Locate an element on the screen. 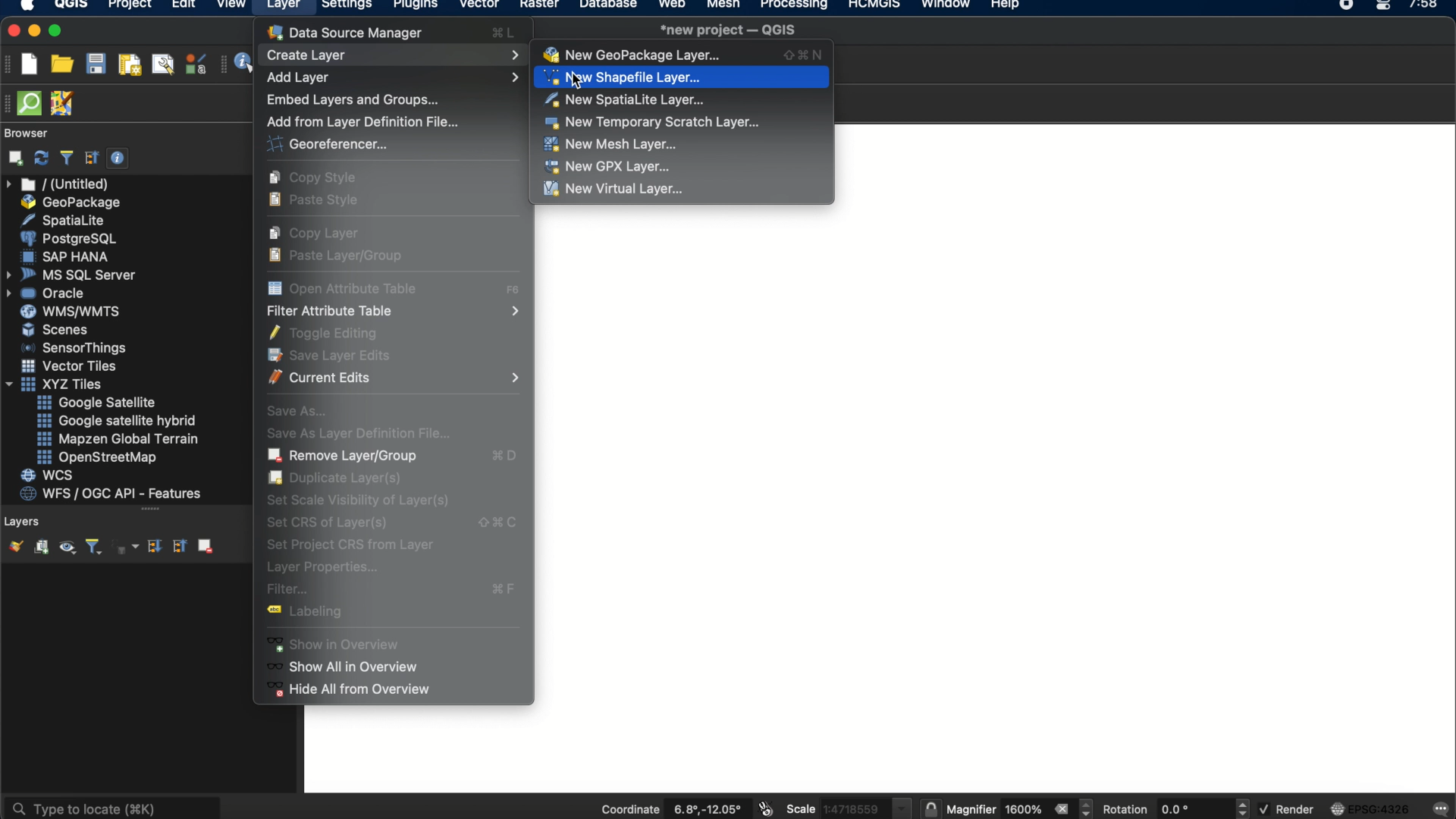 Image resolution: width=1456 pixels, height=819 pixels. magnifier  1600% is located at coordinates (1021, 808).